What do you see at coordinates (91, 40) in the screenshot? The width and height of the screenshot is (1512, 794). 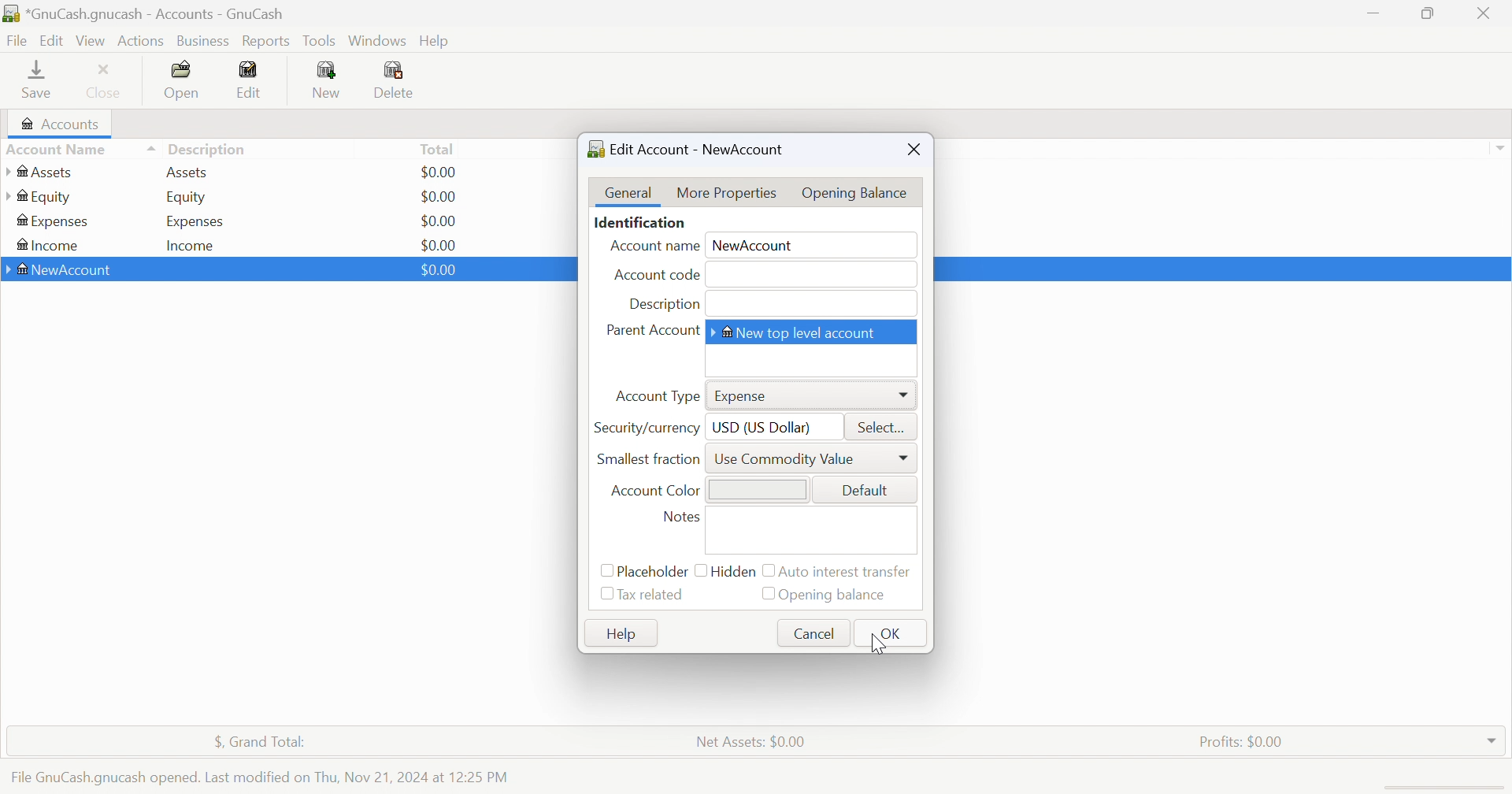 I see `Vies` at bounding box center [91, 40].